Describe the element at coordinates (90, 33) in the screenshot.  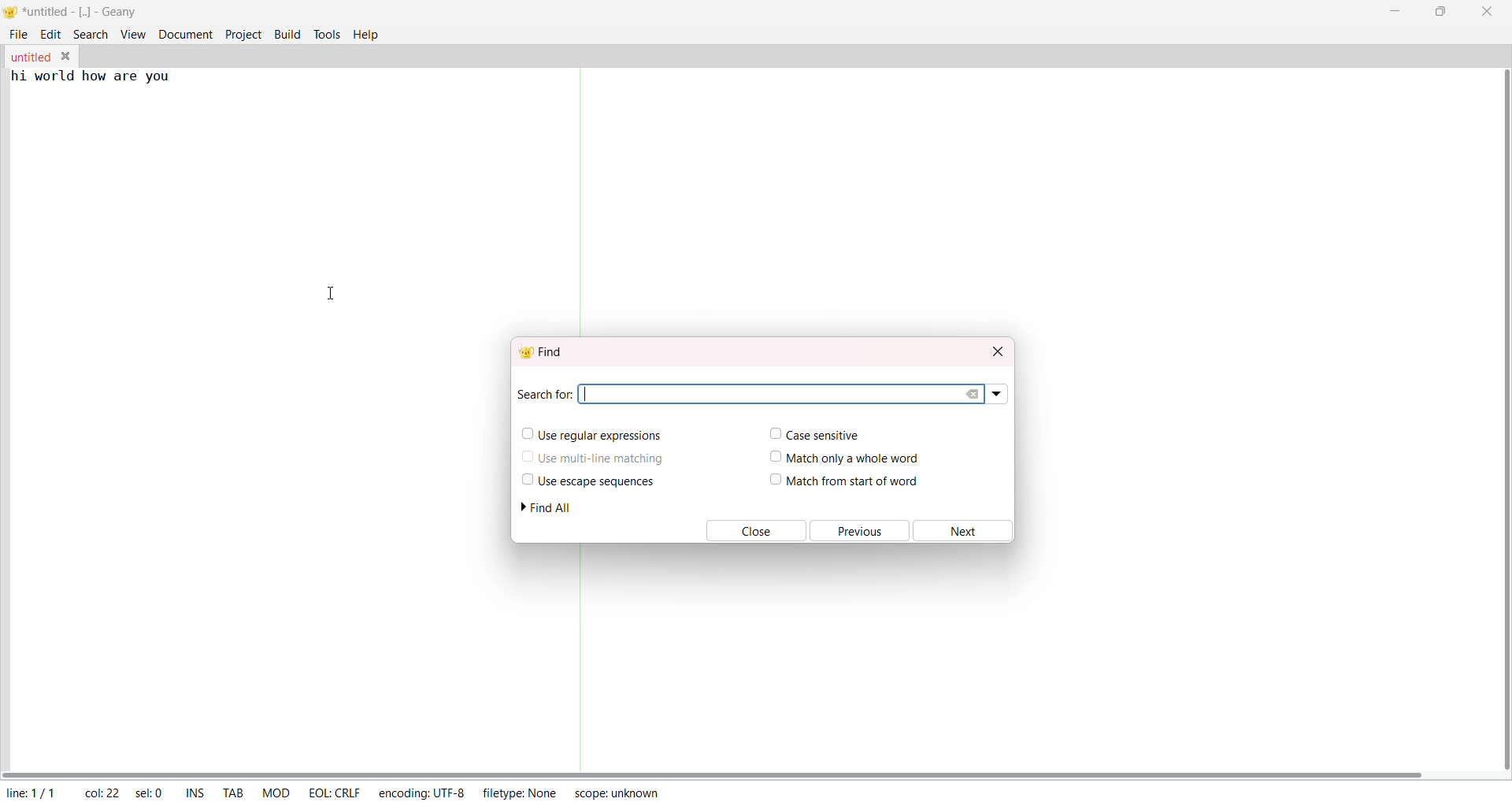
I see `search` at that location.